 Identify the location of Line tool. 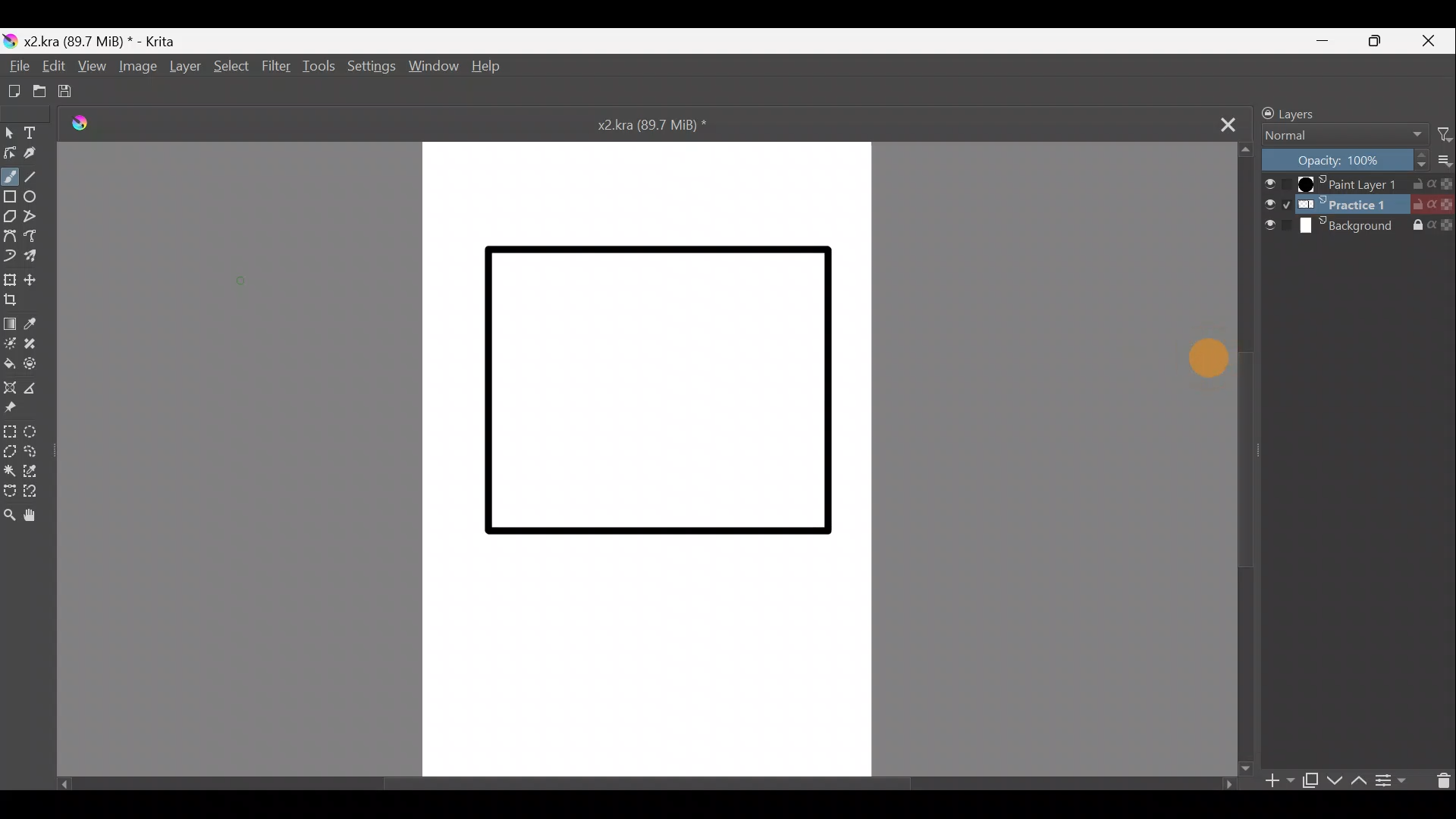
(42, 177).